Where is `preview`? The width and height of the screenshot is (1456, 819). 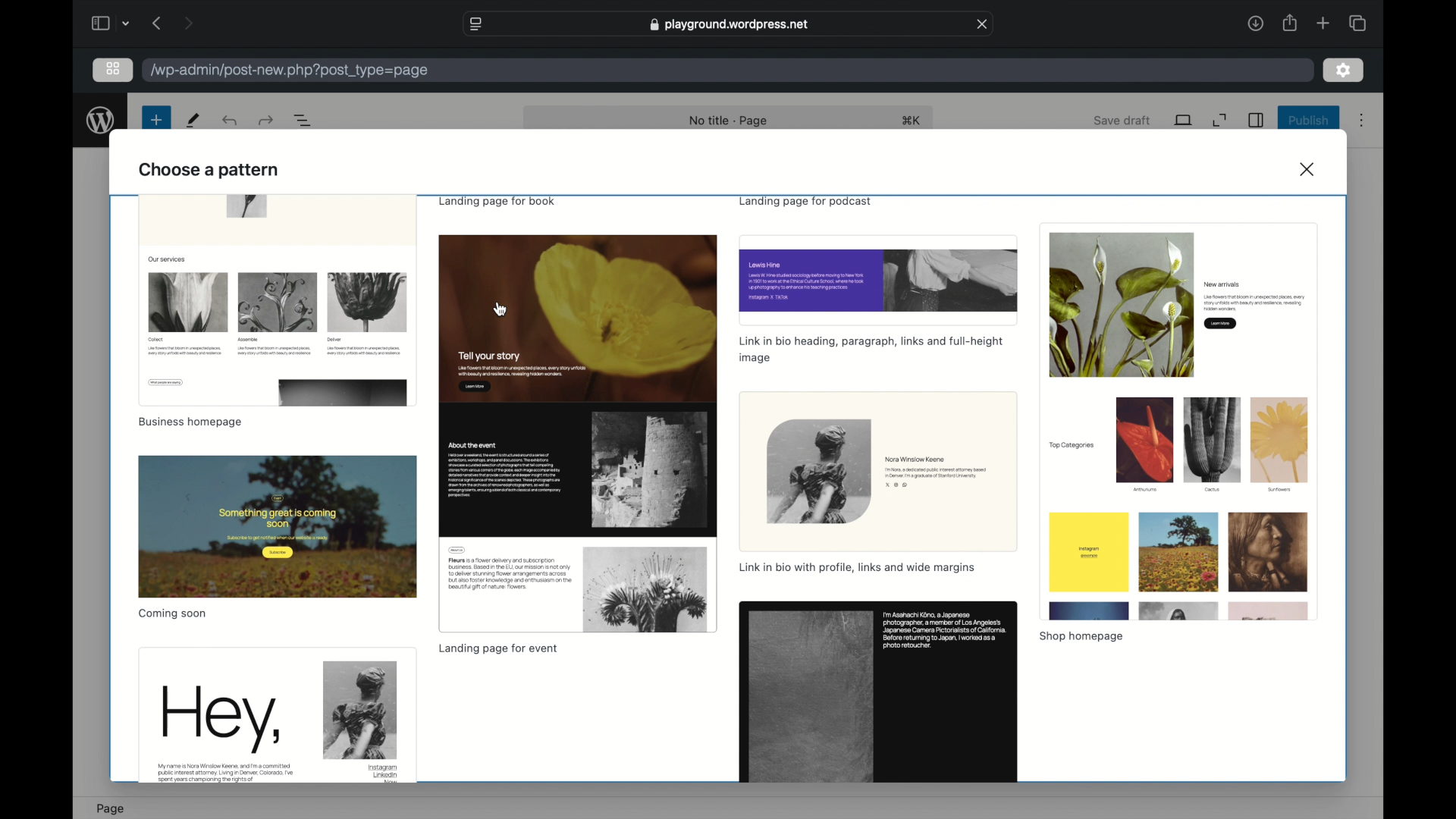
preview is located at coordinates (276, 716).